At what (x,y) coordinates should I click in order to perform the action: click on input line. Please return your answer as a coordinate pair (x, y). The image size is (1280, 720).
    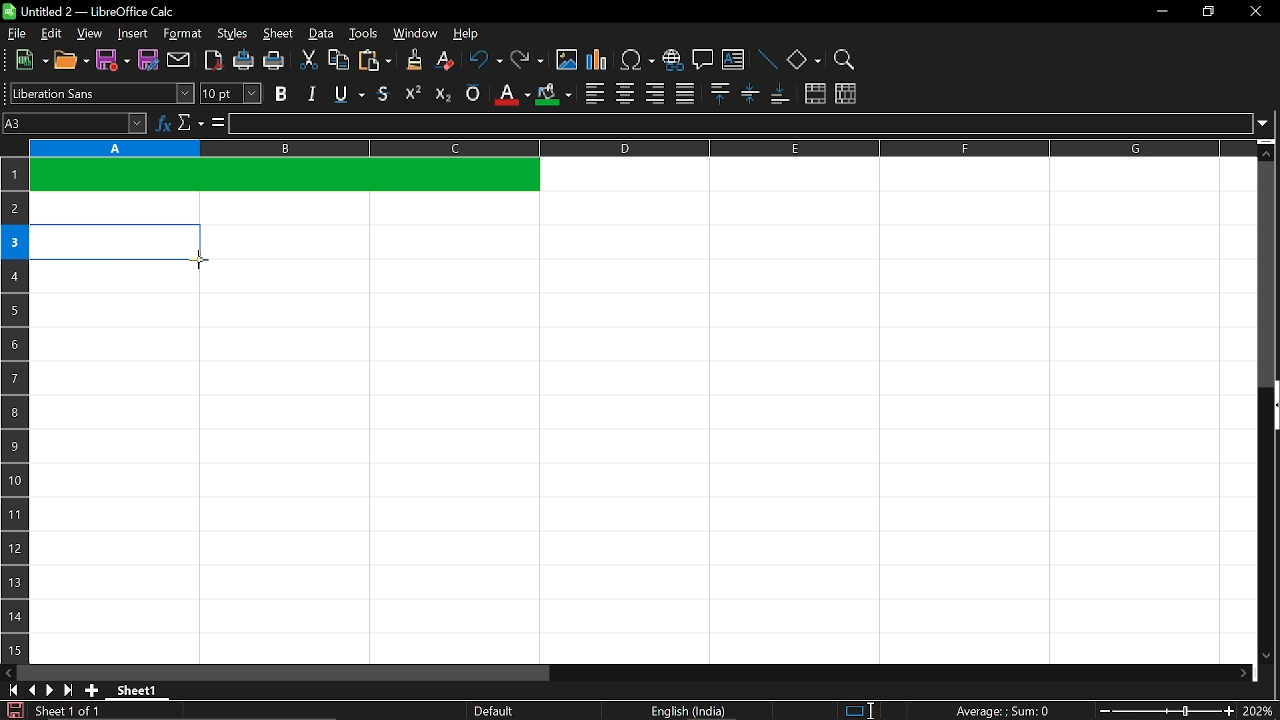
    Looking at the image, I should click on (739, 124).